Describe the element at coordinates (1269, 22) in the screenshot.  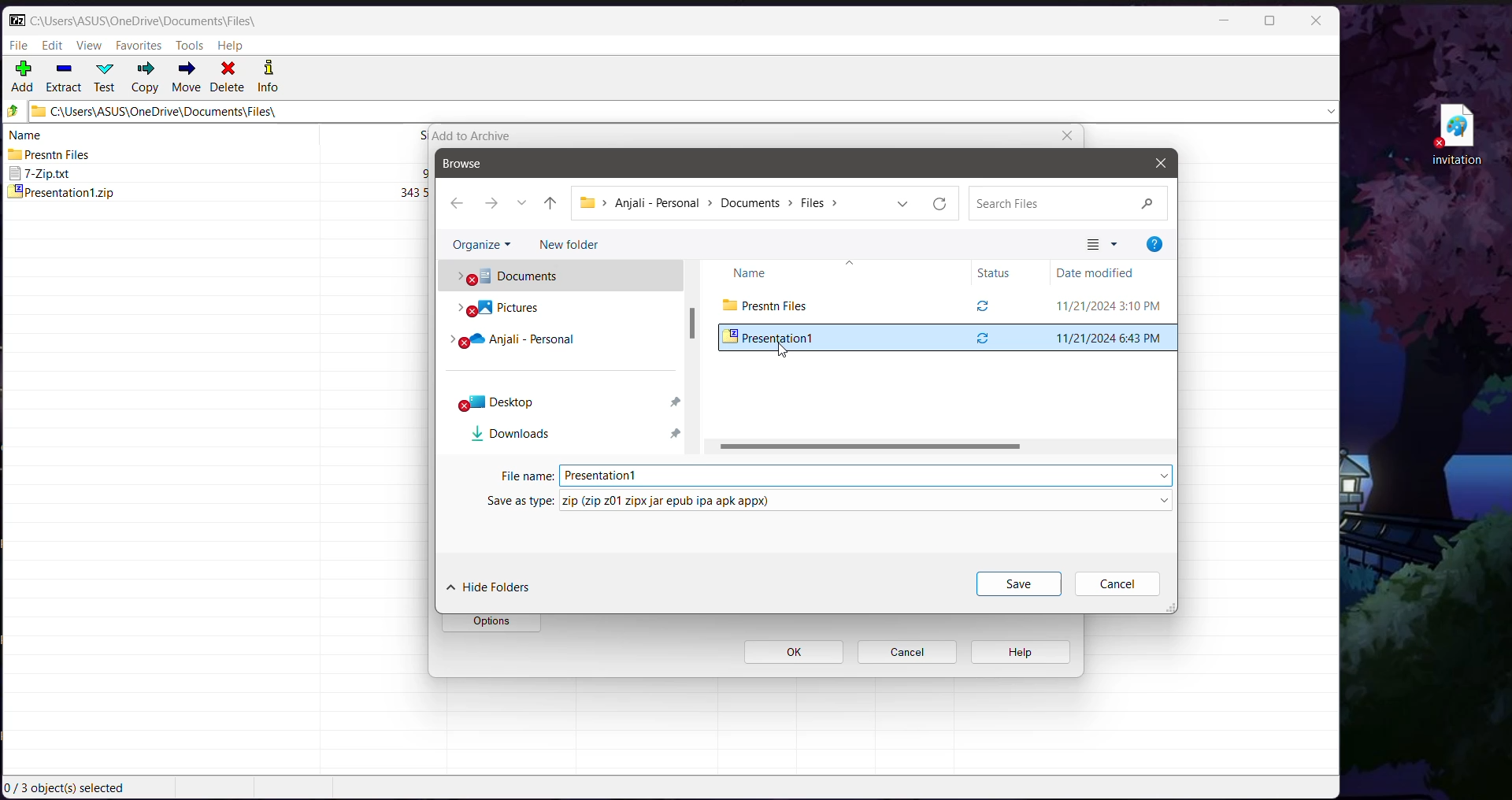
I see `Maximize` at that location.